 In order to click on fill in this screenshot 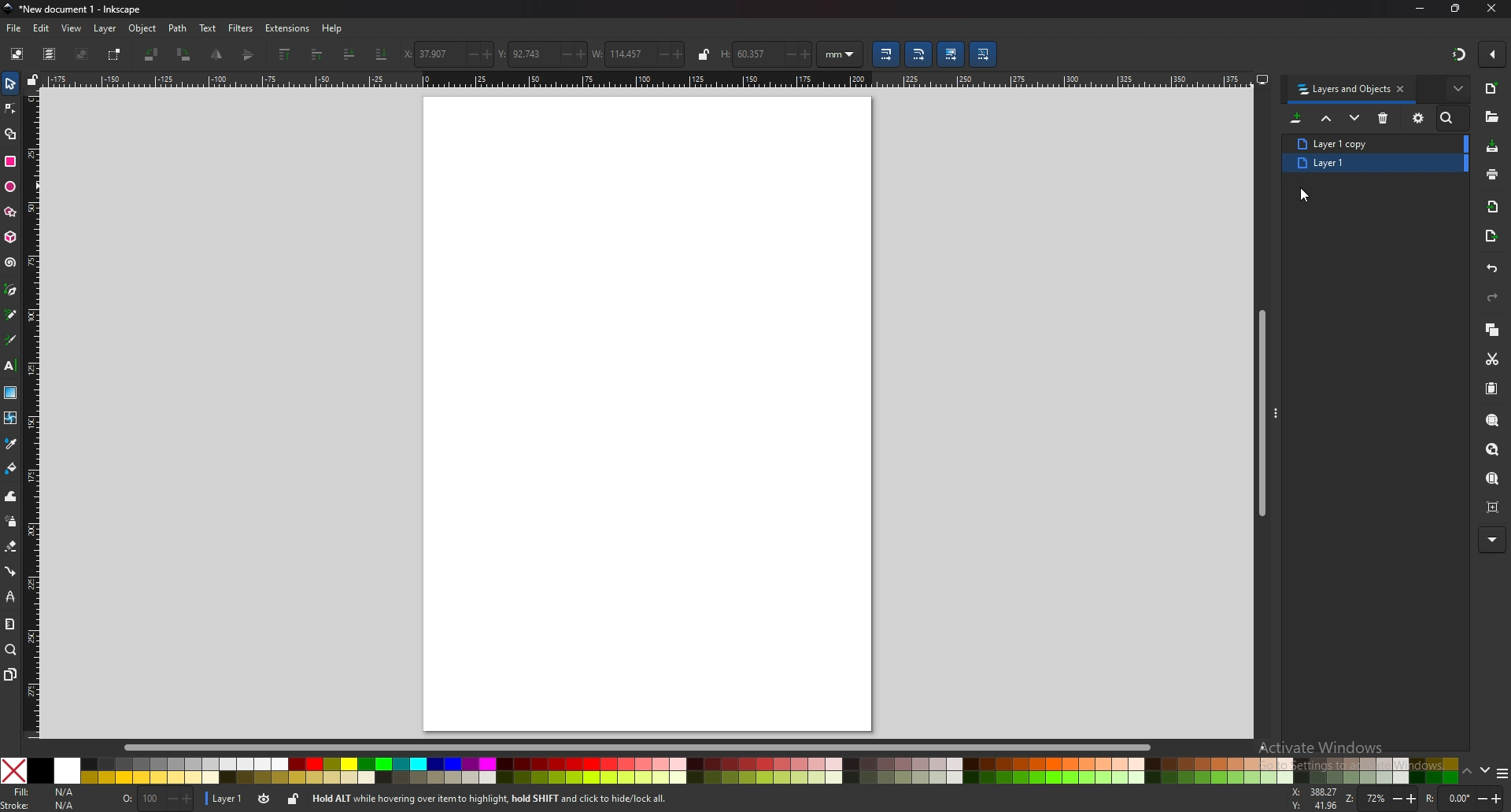, I will do `click(43, 792)`.